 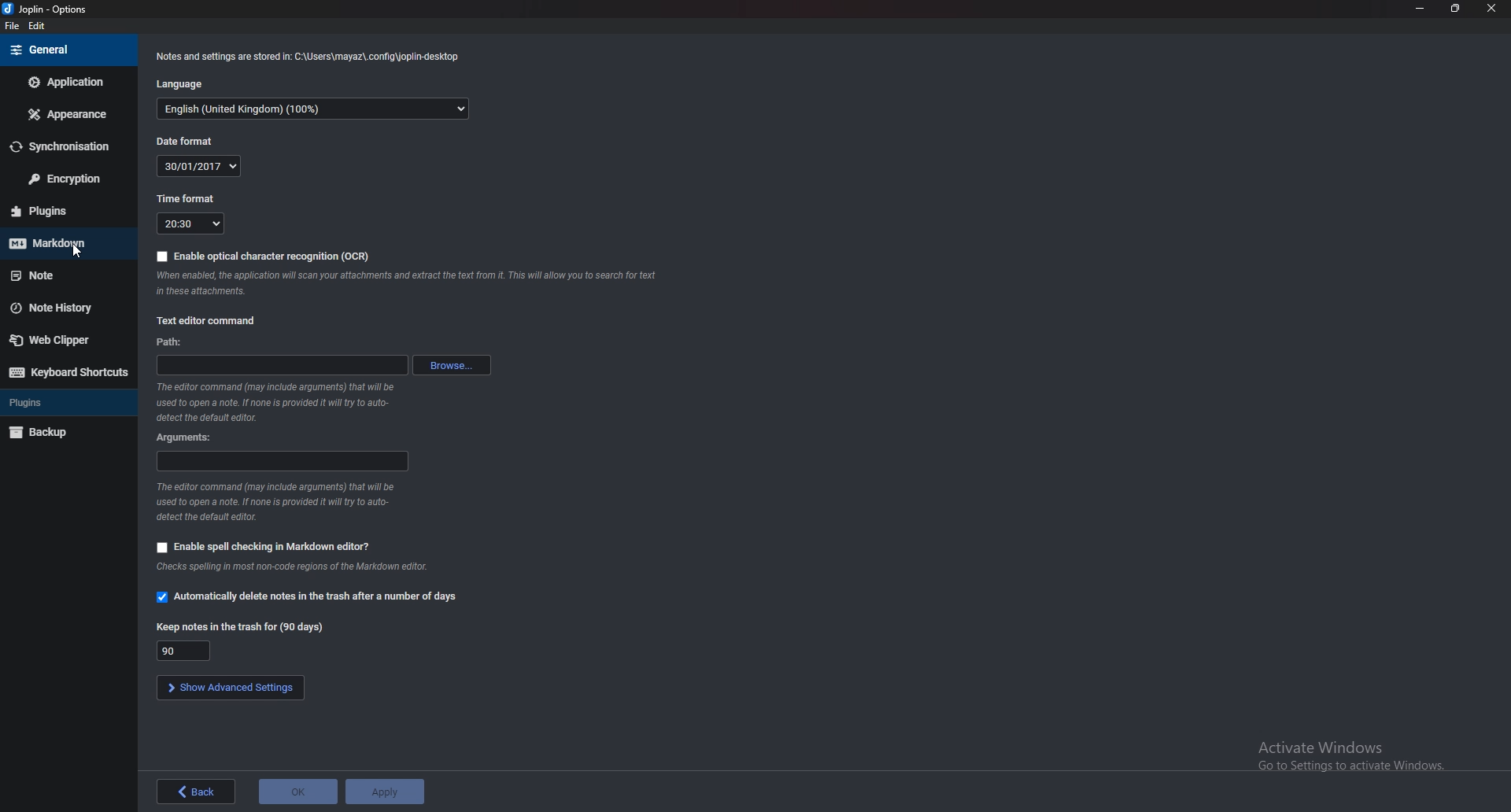 What do you see at coordinates (310, 597) in the screenshot?
I see `Automatically delete notes in the trash after a number of days` at bounding box center [310, 597].